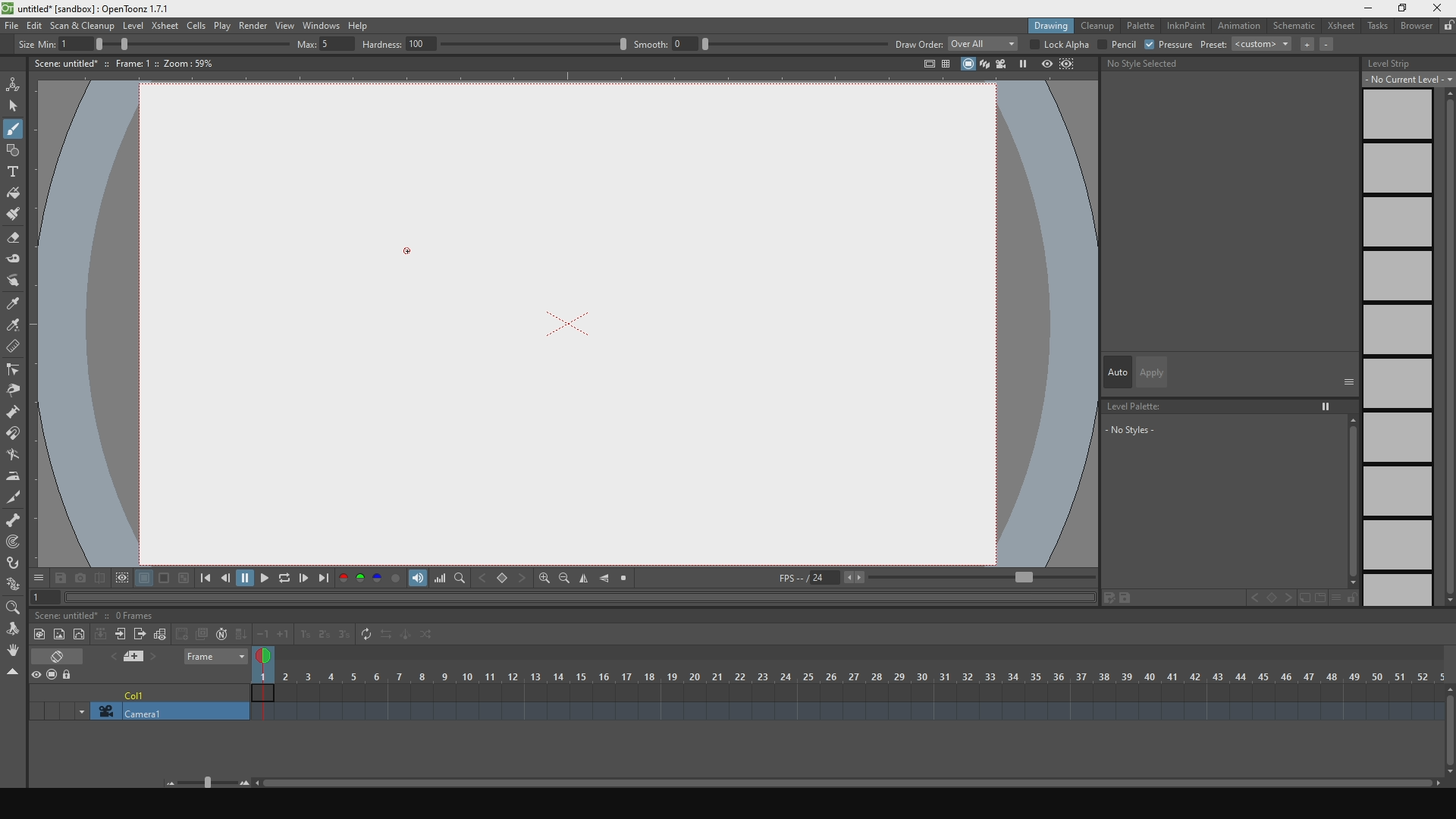  I want to click on size min, so click(58, 43).